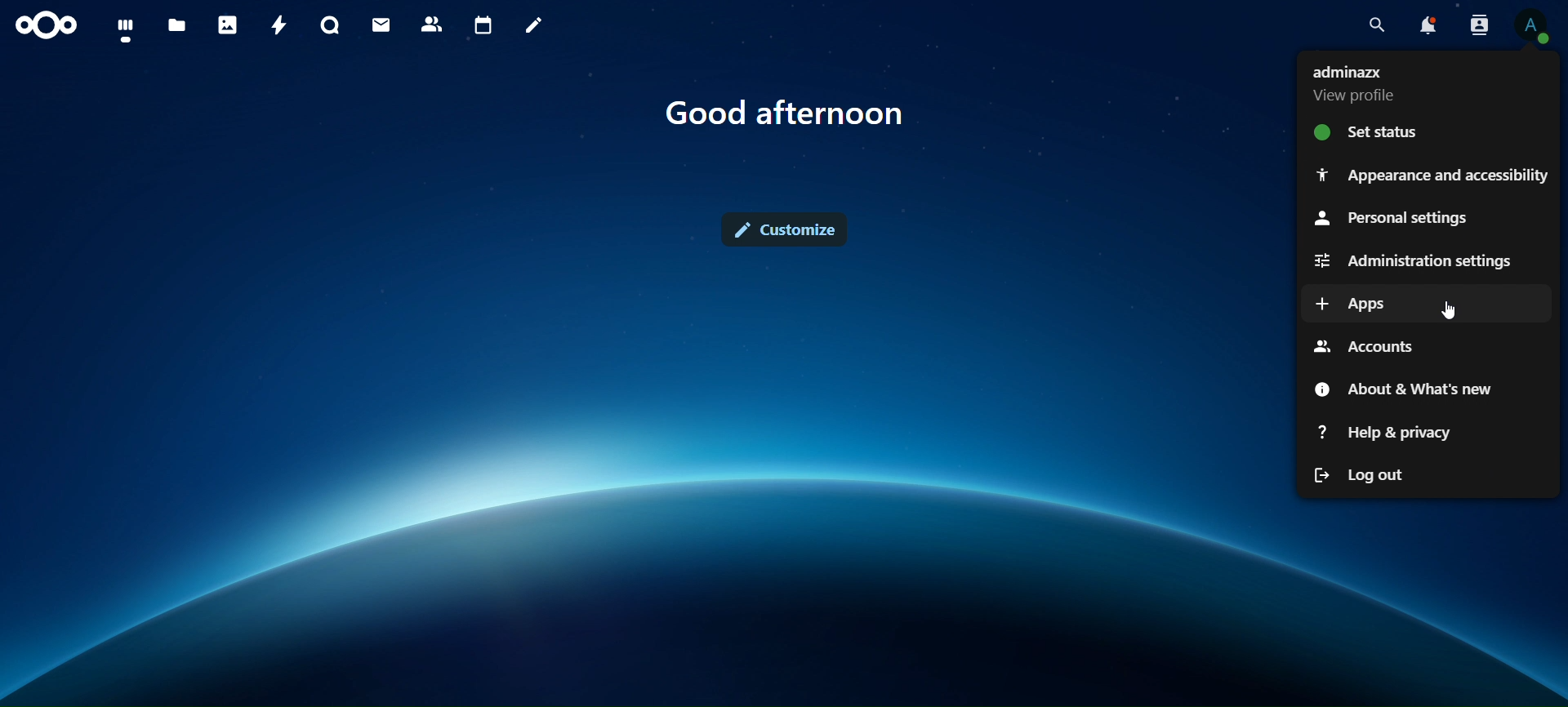  What do you see at coordinates (1372, 131) in the screenshot?
I see `set profile` at bounding box center [1372, 131].